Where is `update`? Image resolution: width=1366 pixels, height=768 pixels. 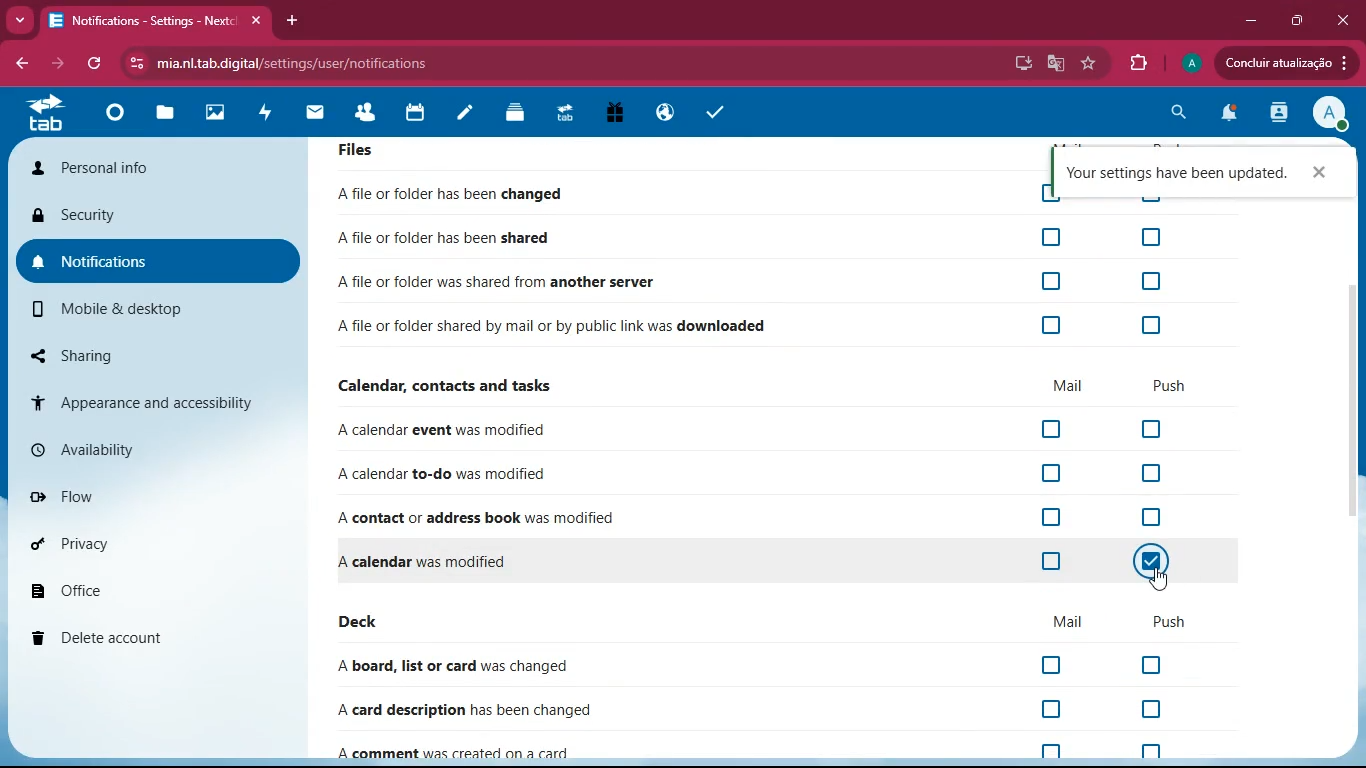 update is located at coordinates (1284, 63).